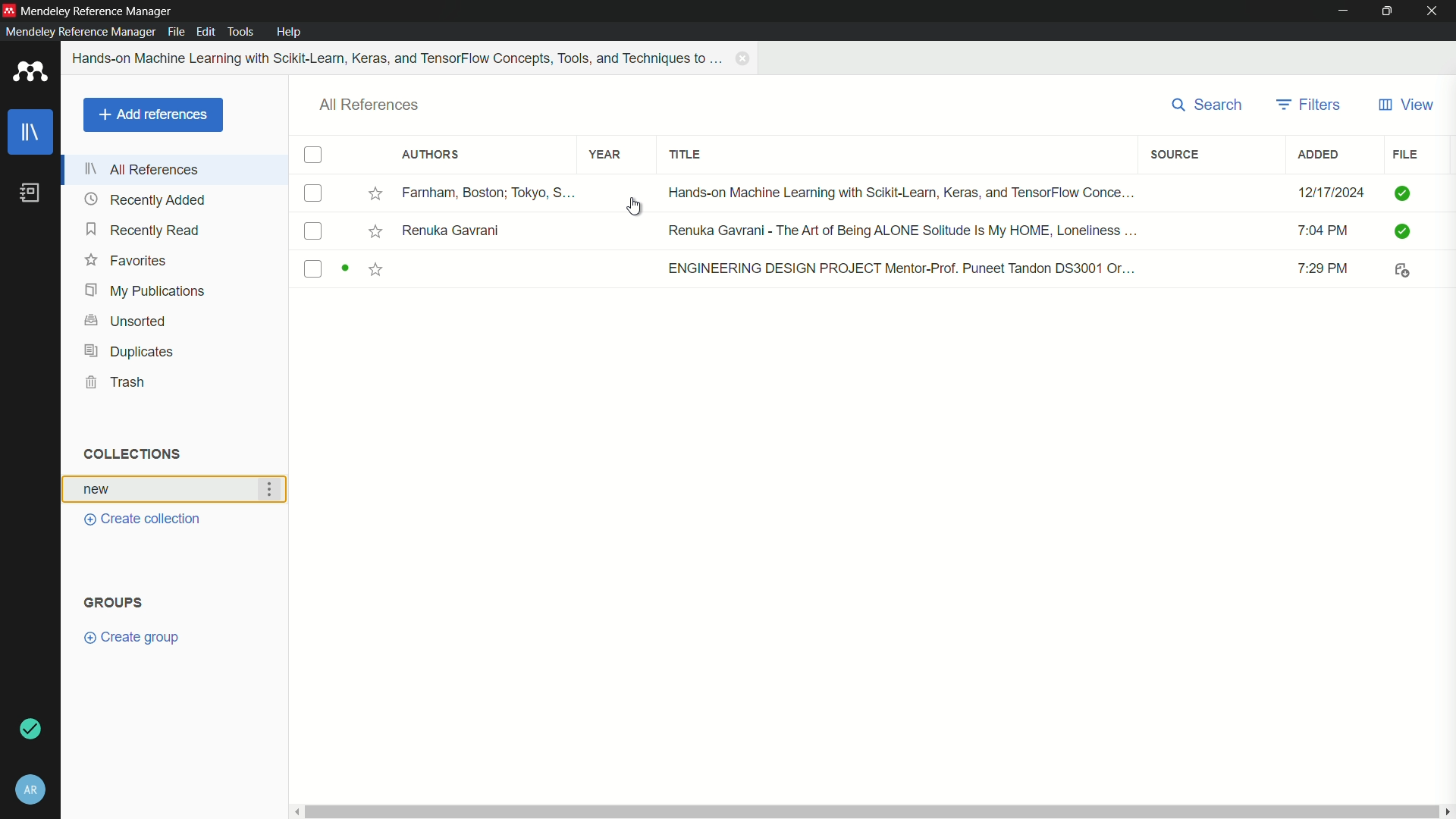 Image resolution: width=1456 pixels, height=819 pixels. I want to click on book-1, so click(865, 193).